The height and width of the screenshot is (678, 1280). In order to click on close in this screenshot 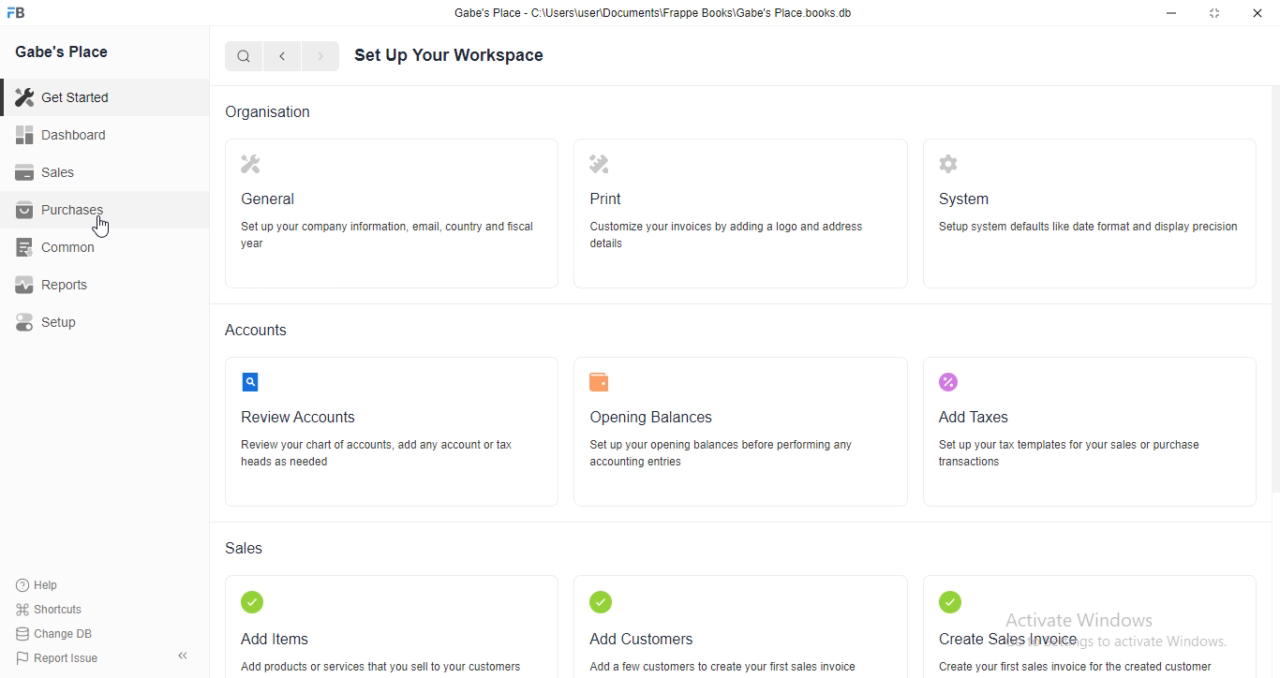, I will do `click(1258, 13)`.